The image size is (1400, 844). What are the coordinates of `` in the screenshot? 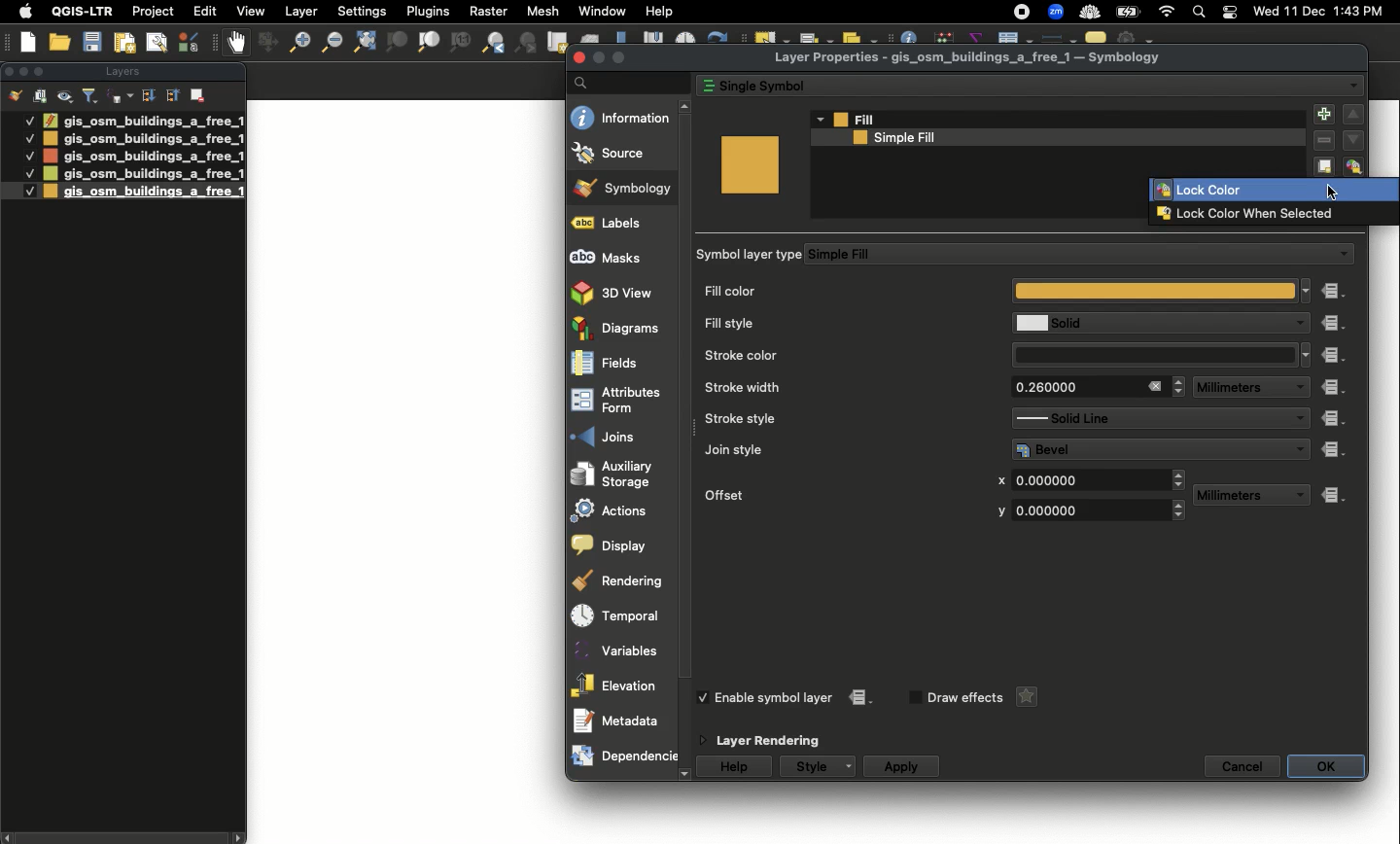 It's located at (9, 43).